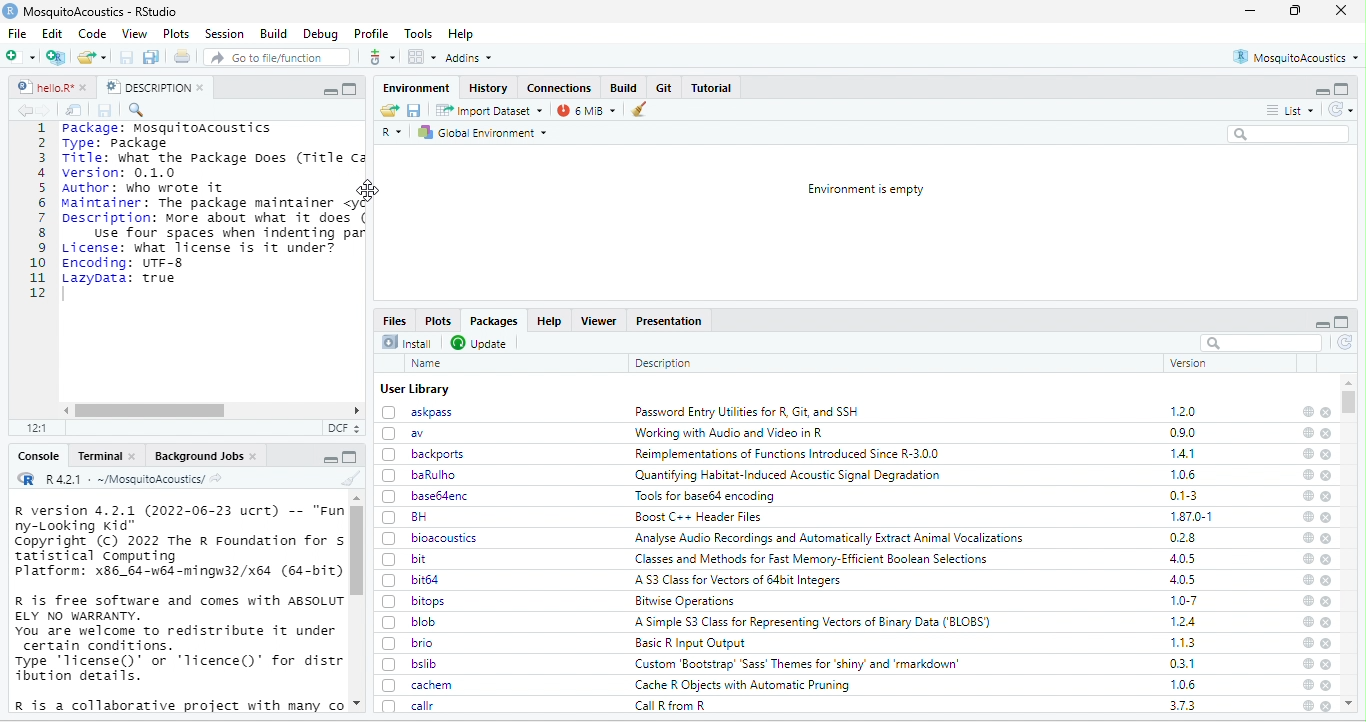  What do you see at coordinates (710, 496) in the screenshot?
I see `Tools for base64 encoding` at bounding box center [710, 496].